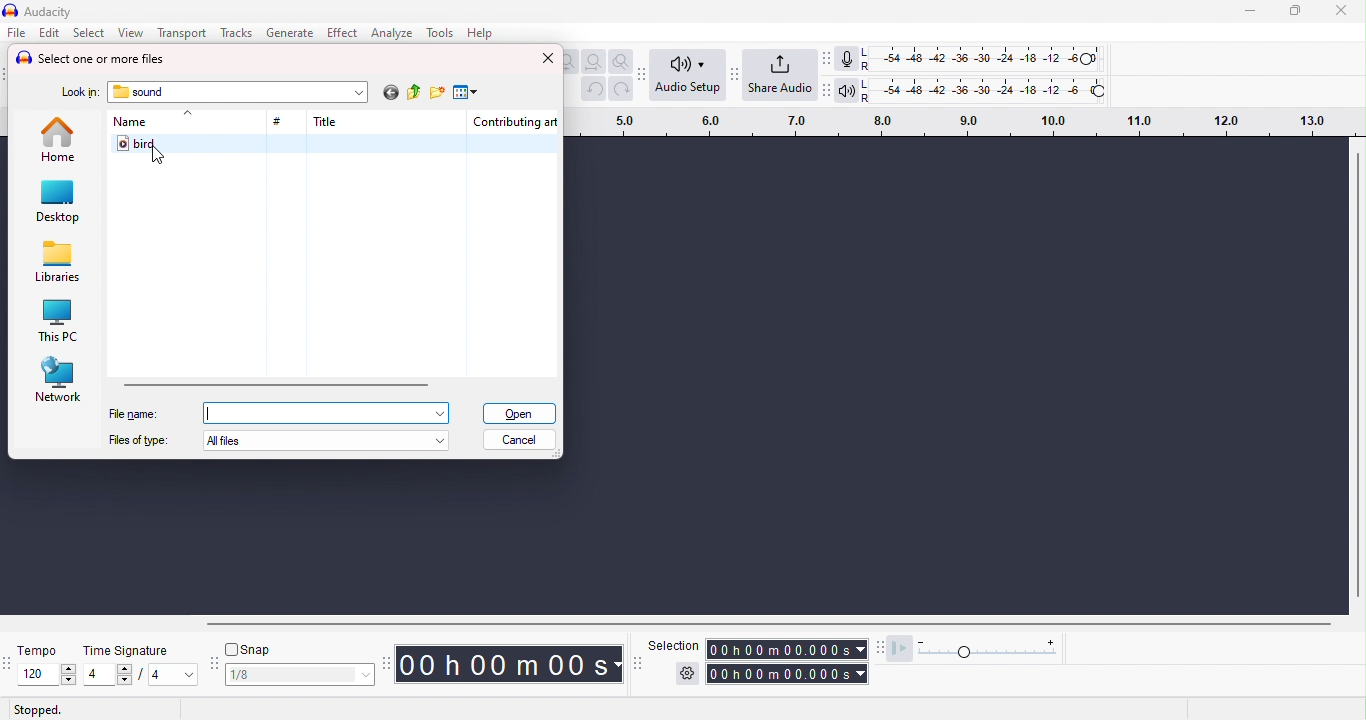 This screenshot has width=1366, height=720. I want to click on desktop, so click(59, 202).